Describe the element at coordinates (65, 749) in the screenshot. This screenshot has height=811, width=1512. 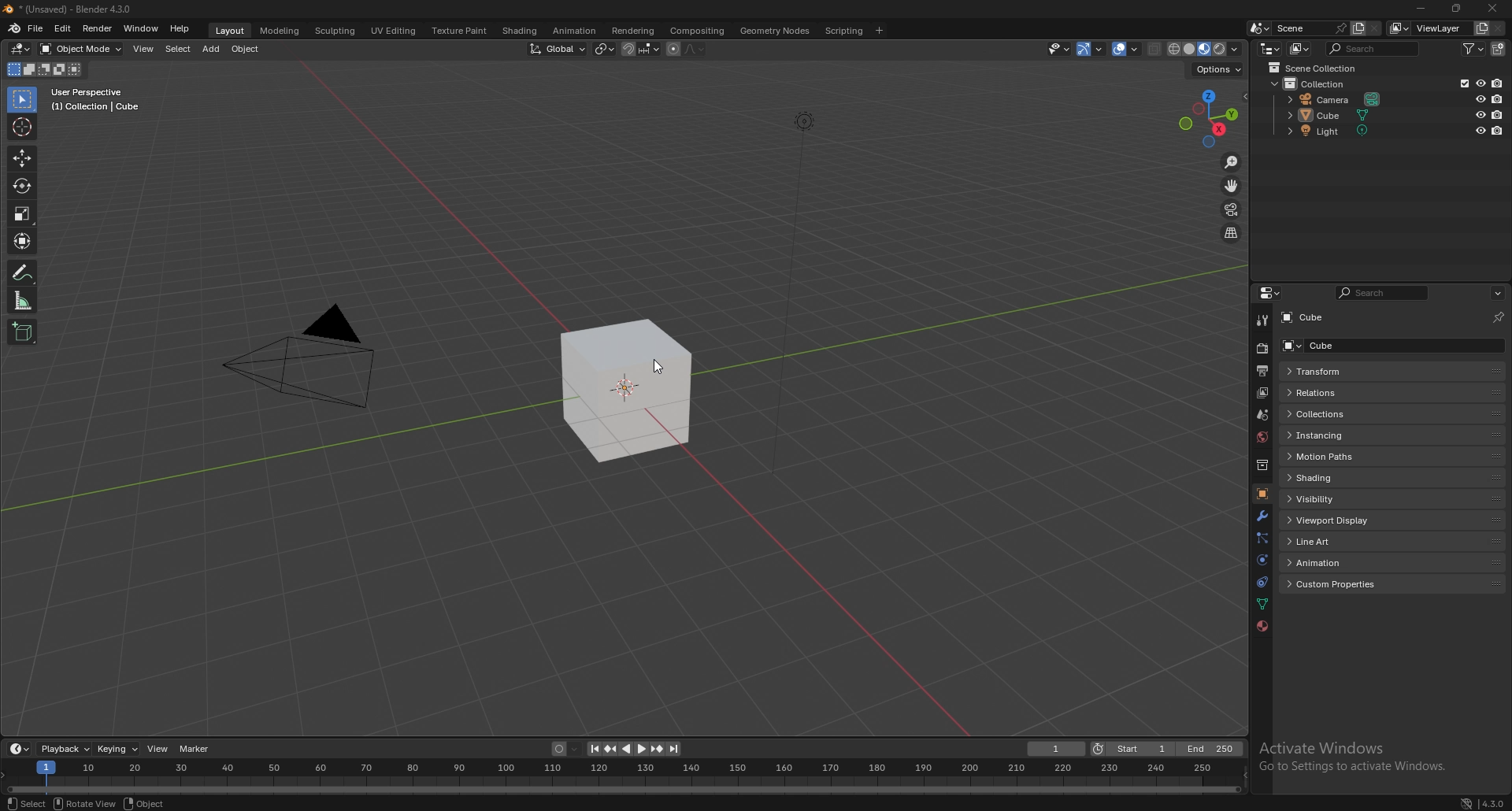
I see `playback` at that location.